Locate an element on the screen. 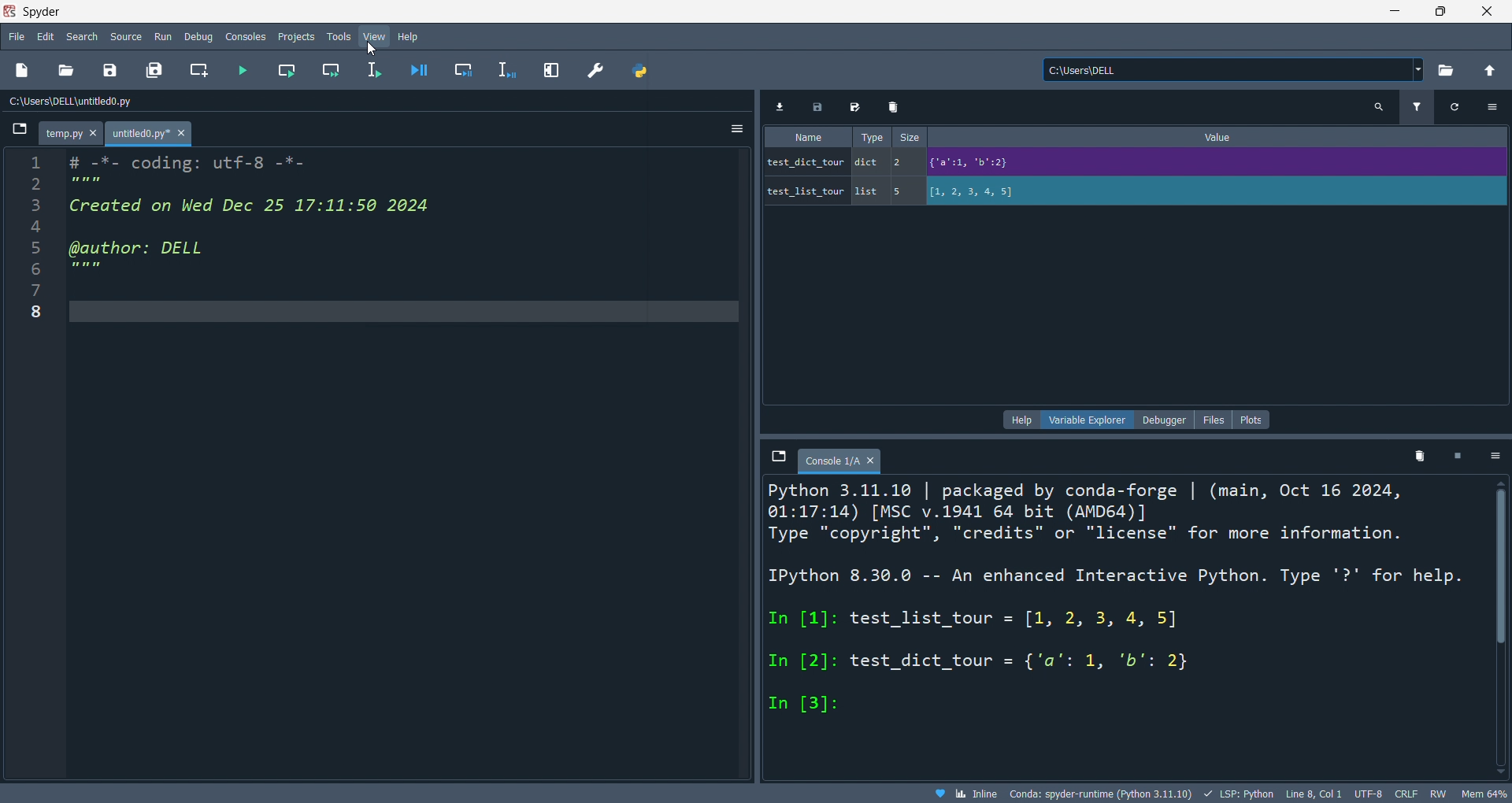 The width and height of the screenshot is (1512, 803). Spyder is located at coordinates (682, 12).